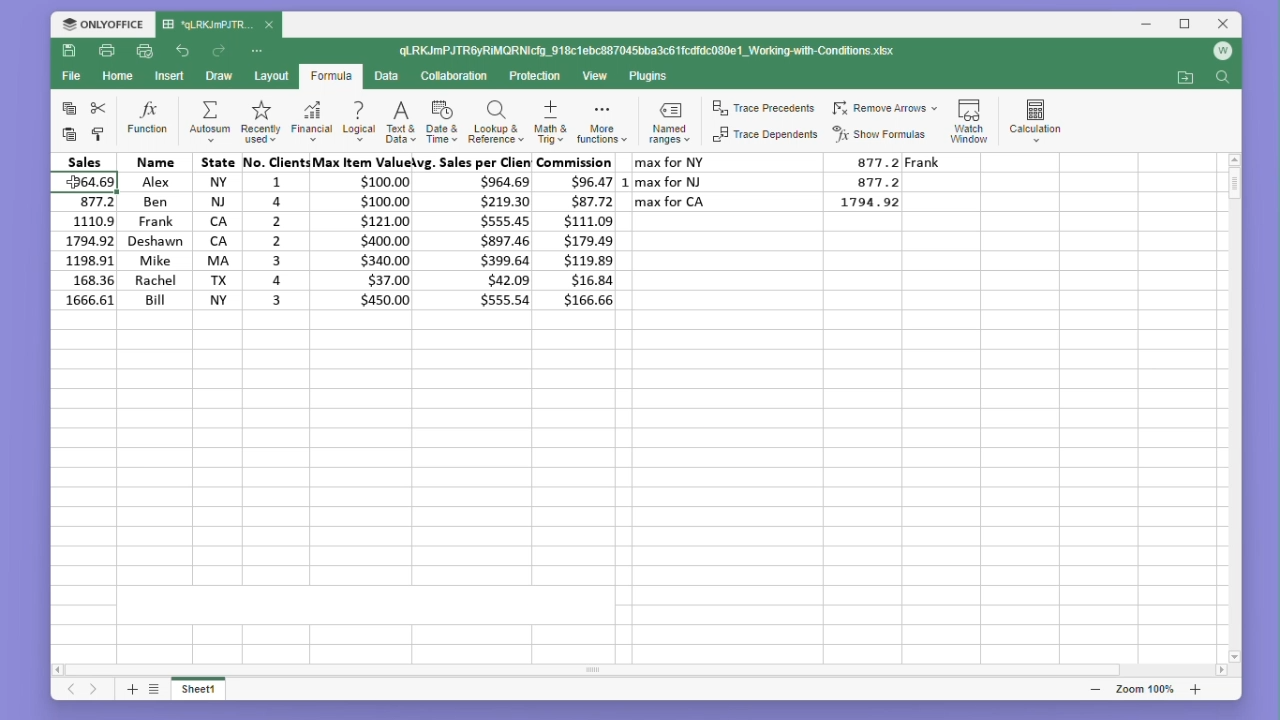 The height and width of the screenshot is (720, 1280). I want to click on View, so click(596, 76).